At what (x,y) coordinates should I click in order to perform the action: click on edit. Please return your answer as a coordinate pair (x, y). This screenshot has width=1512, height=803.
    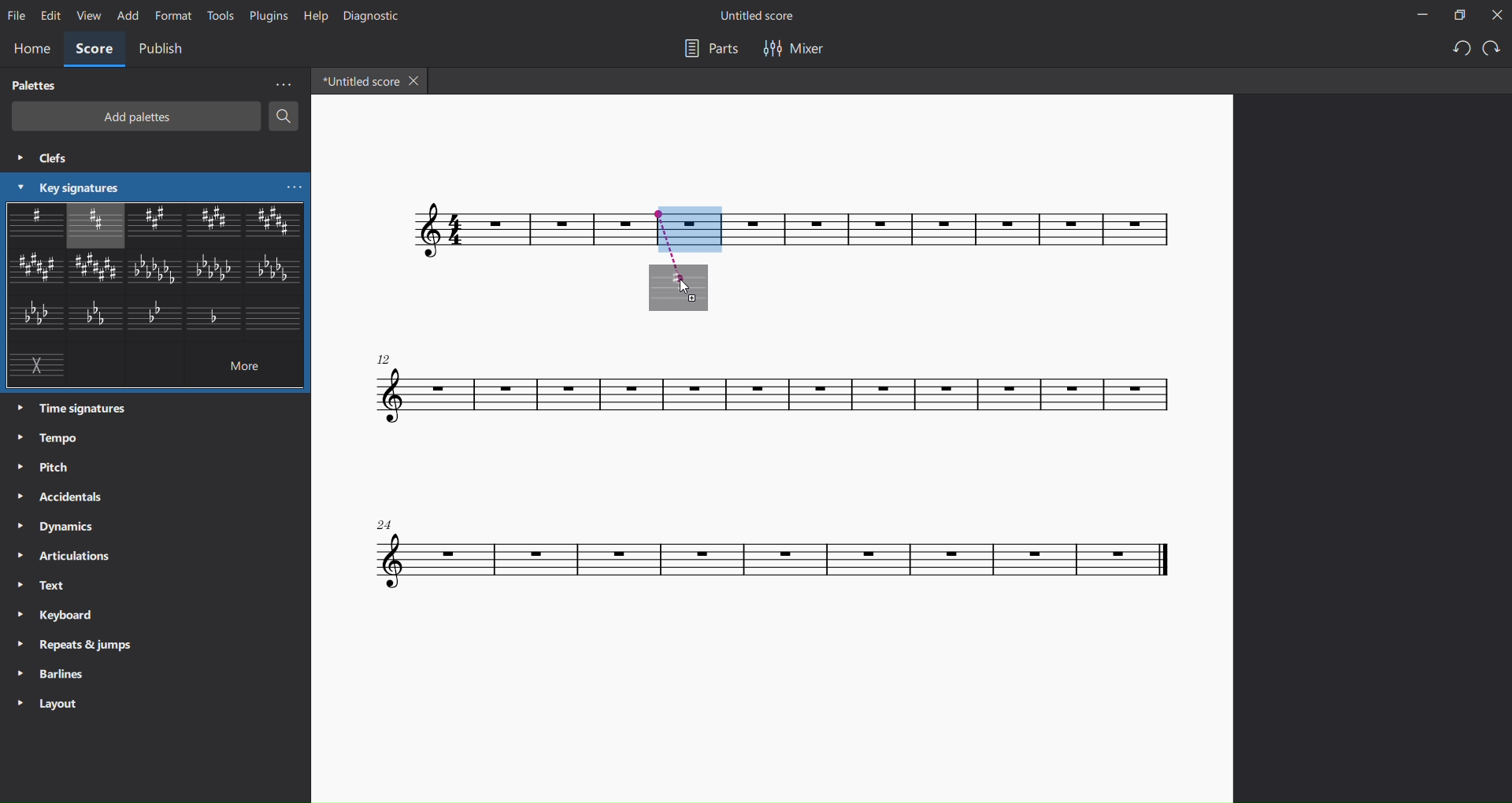
    Looking at the image, I should click on (49, 14).